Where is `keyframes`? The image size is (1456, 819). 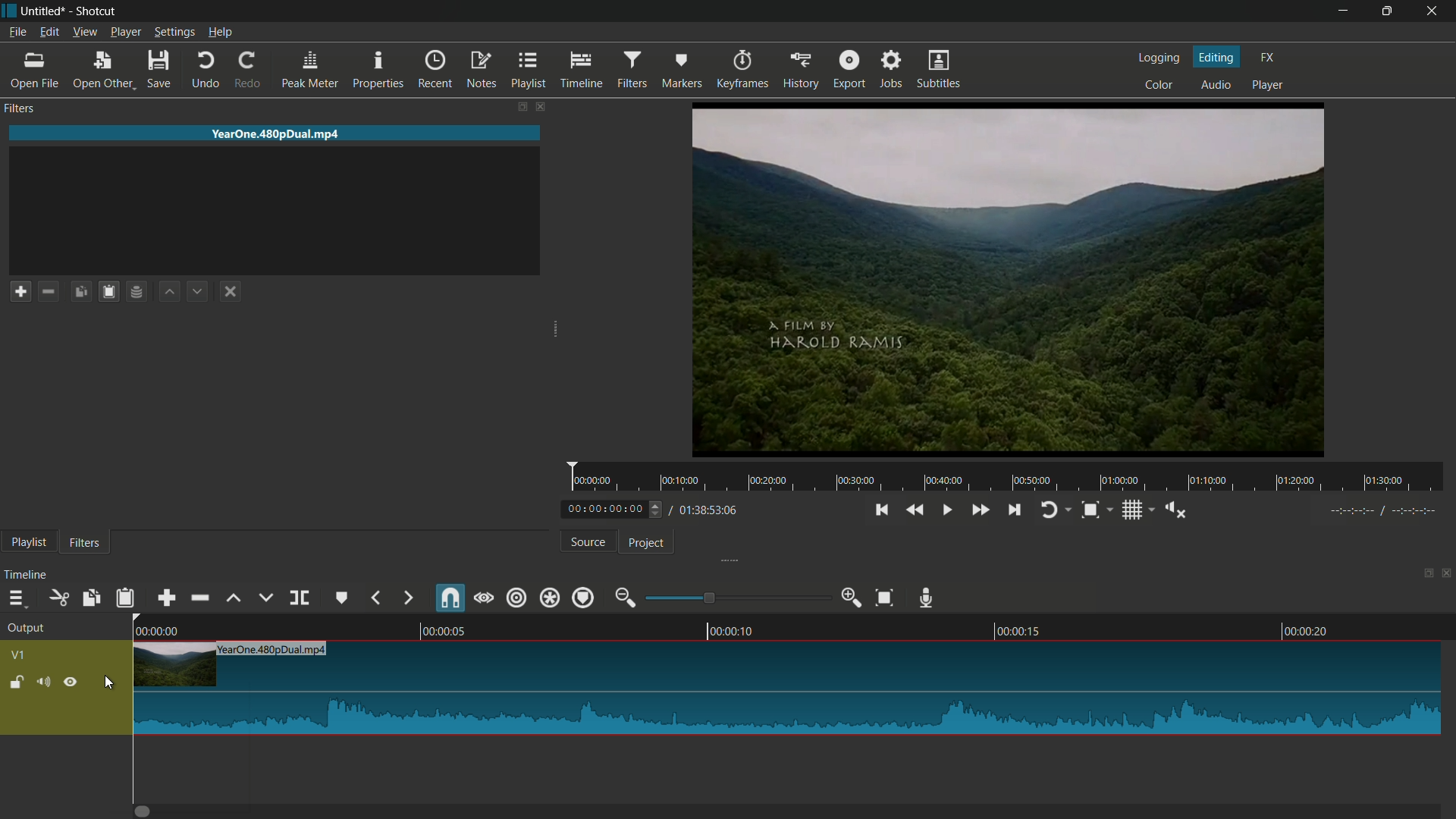 keyframes is located at coordinates (740, 70).